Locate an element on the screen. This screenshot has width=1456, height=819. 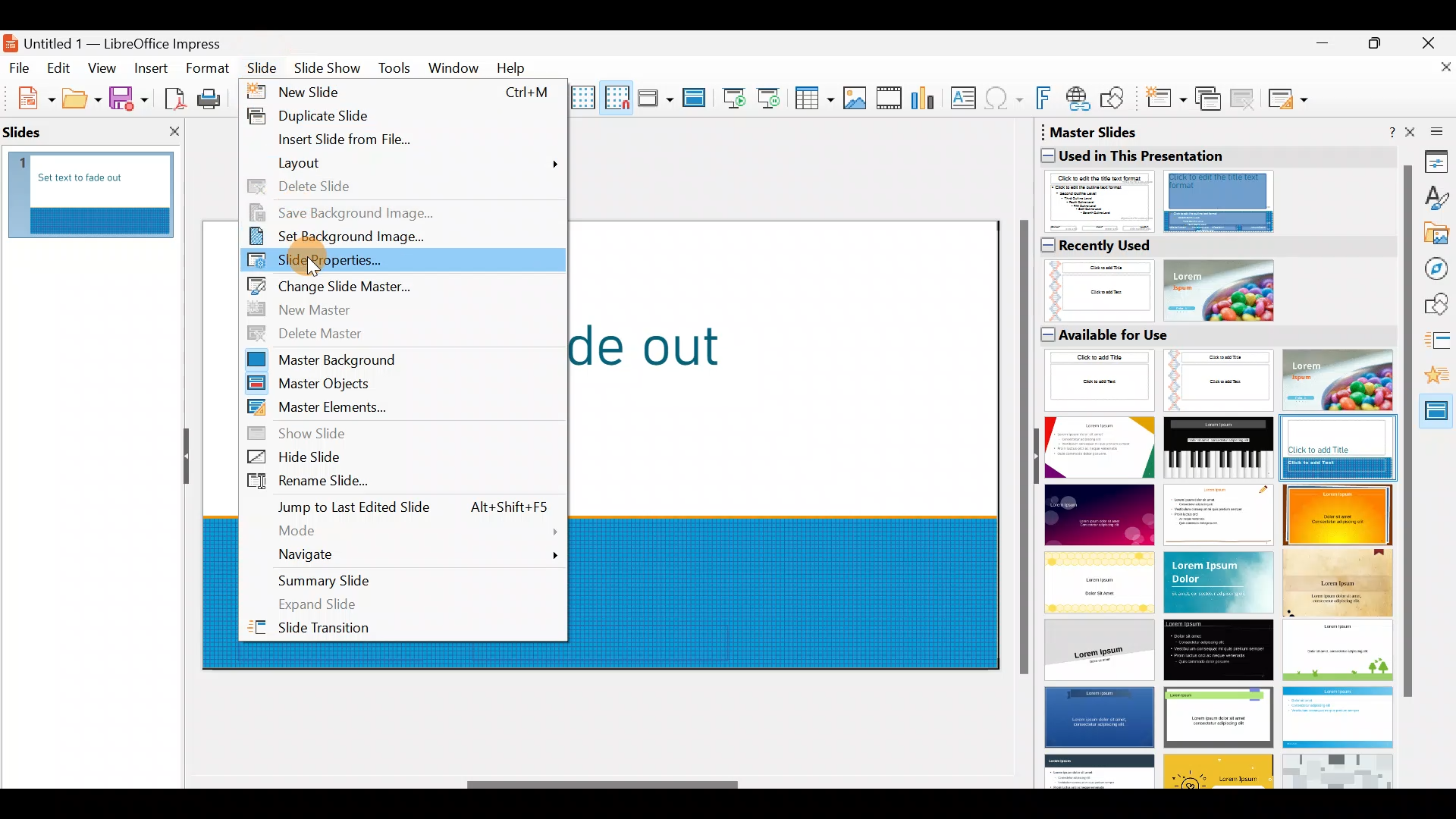
New slide is located at coordinates (1165, 102).